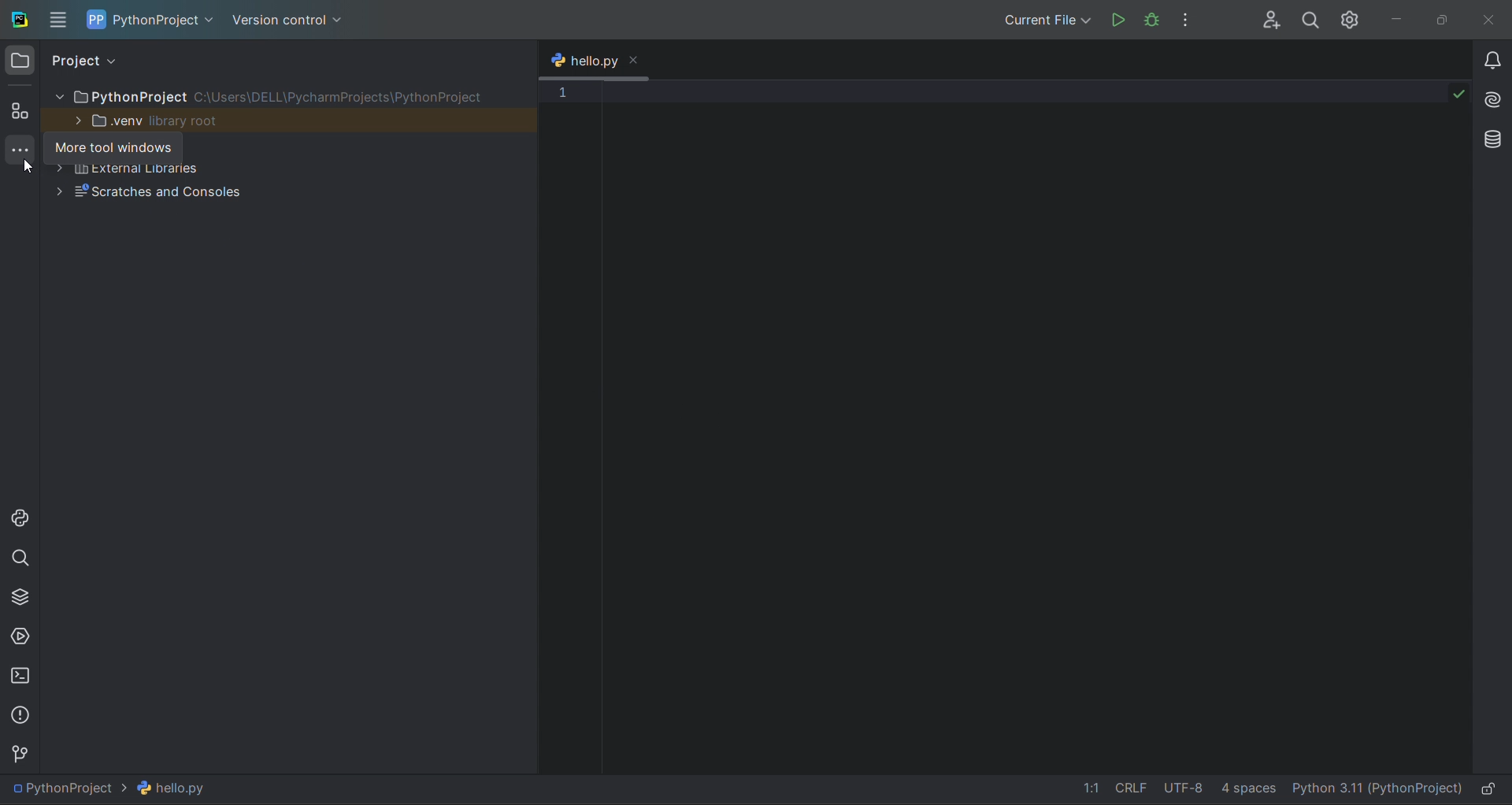  What do you see at coordinates (17, 21) in the screenshot?
I see `logo` at bounding box center [17, 21].